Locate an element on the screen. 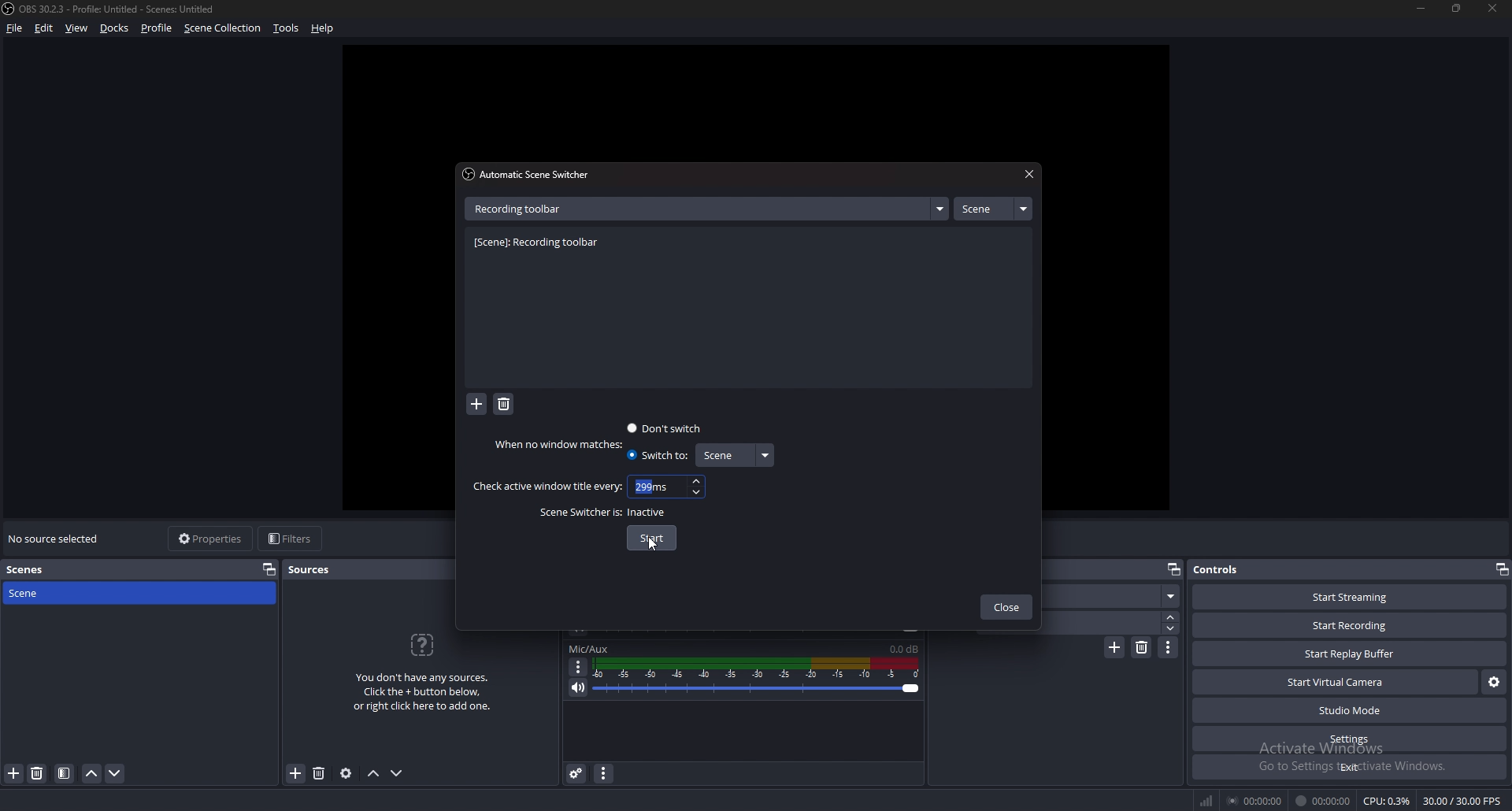  network is located at coordinates (1208, 800).